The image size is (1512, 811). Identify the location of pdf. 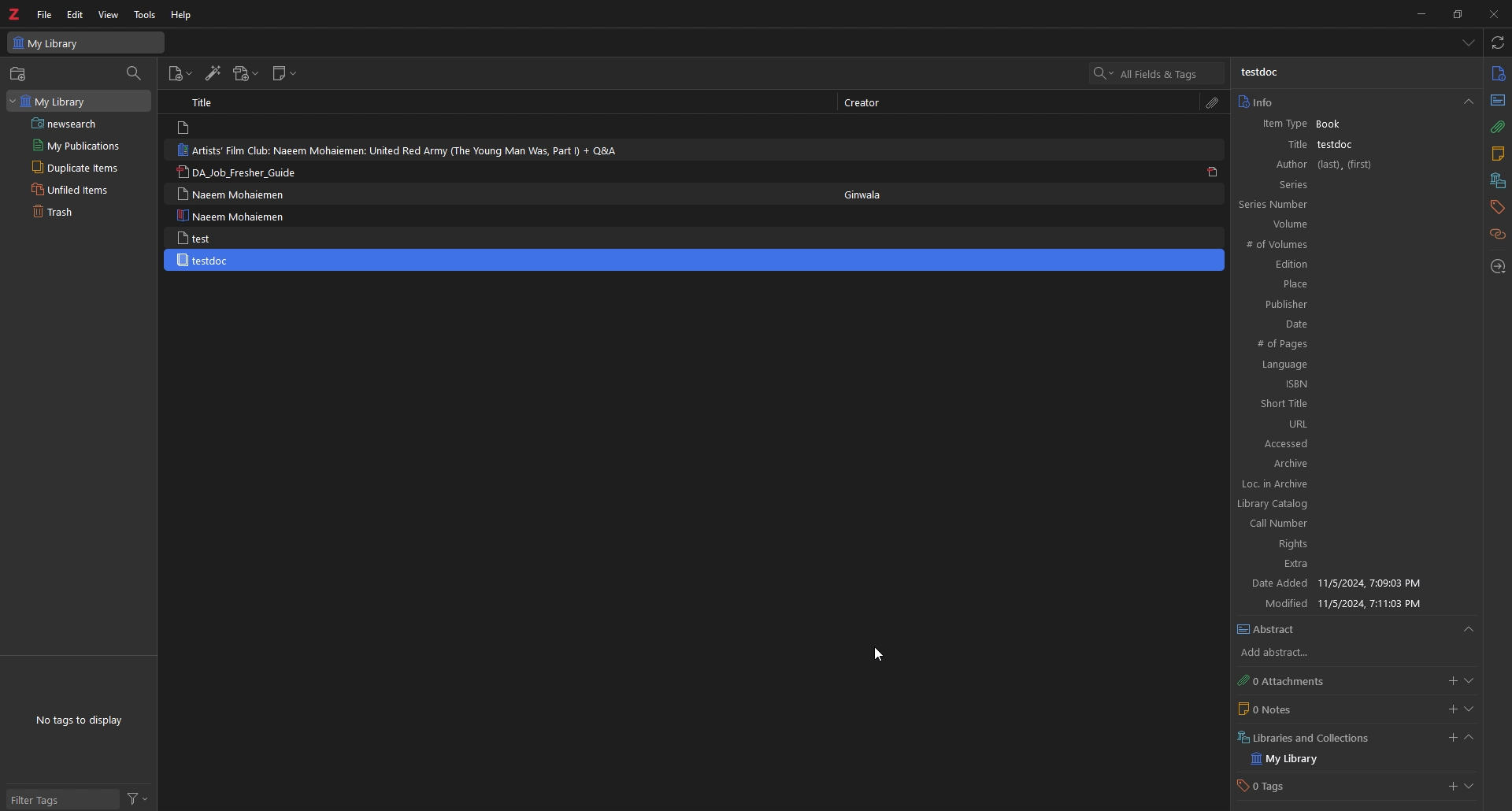
(1213, 171).